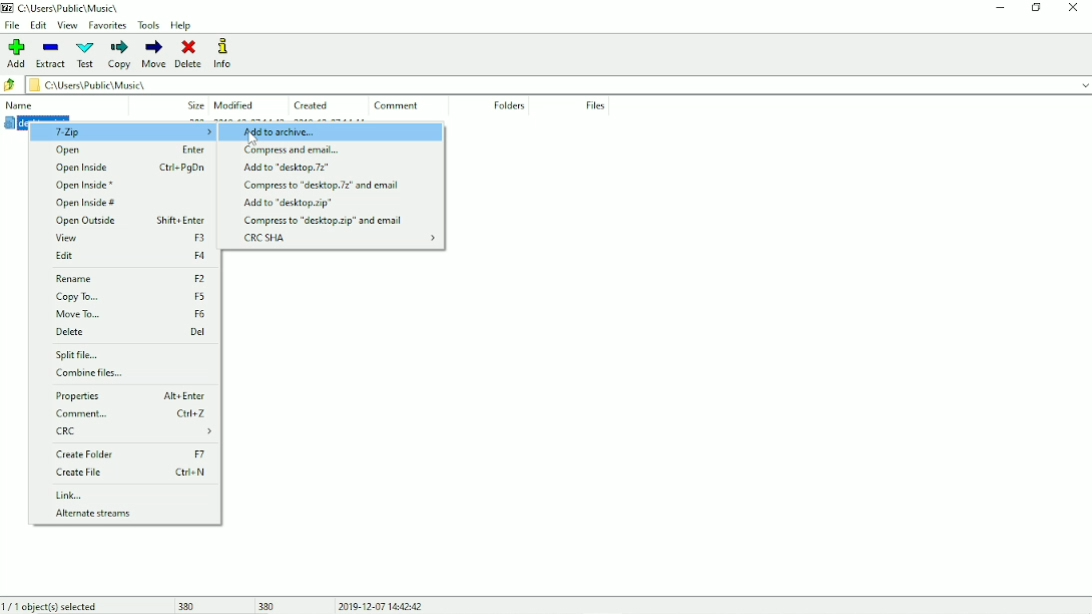  Describe the element at coordinates (294, 150) in the screenshot. I see `Compress and email` at that location.